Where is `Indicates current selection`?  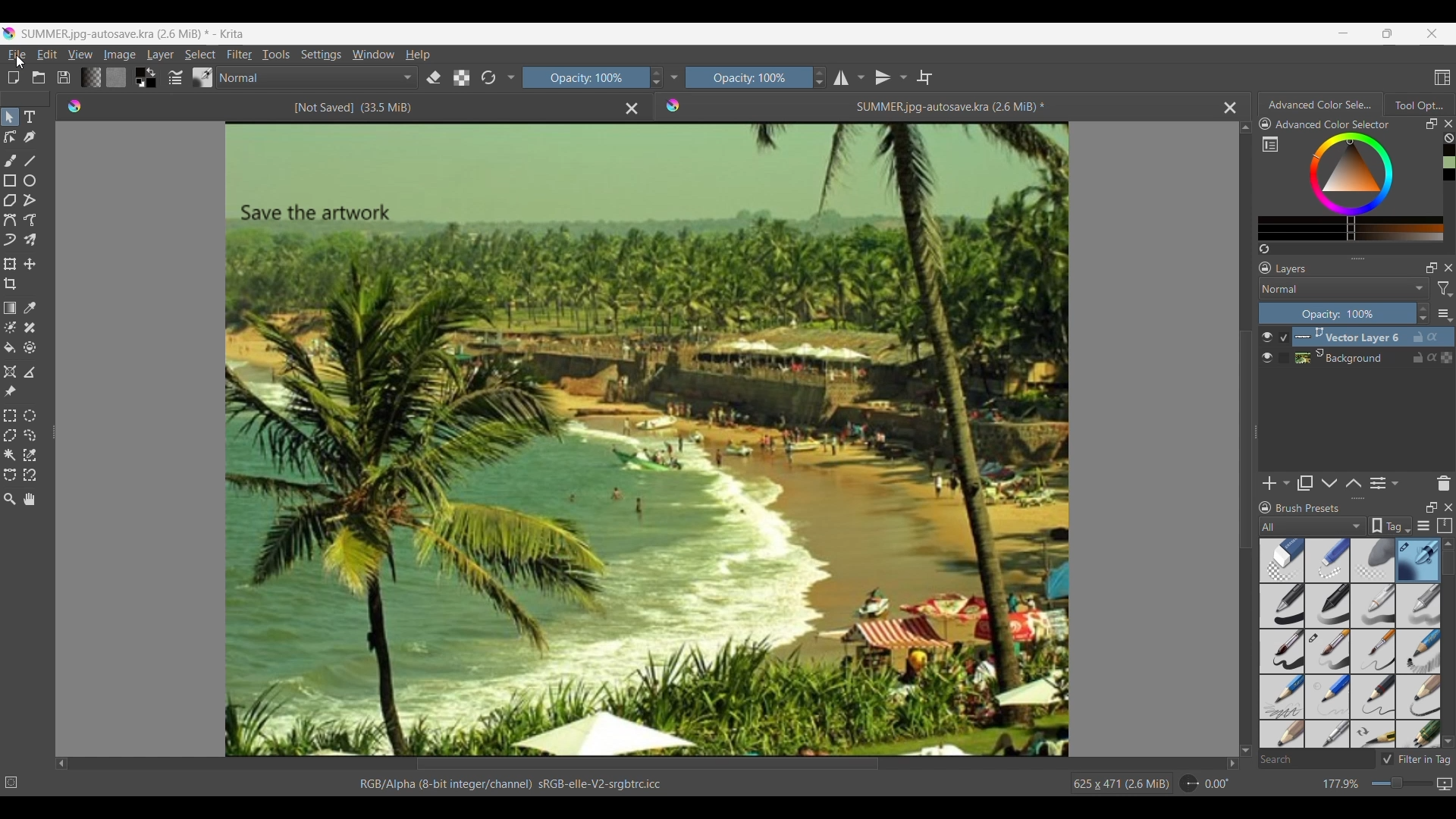
Indicates current selection is located at coordinates (1283, 347).